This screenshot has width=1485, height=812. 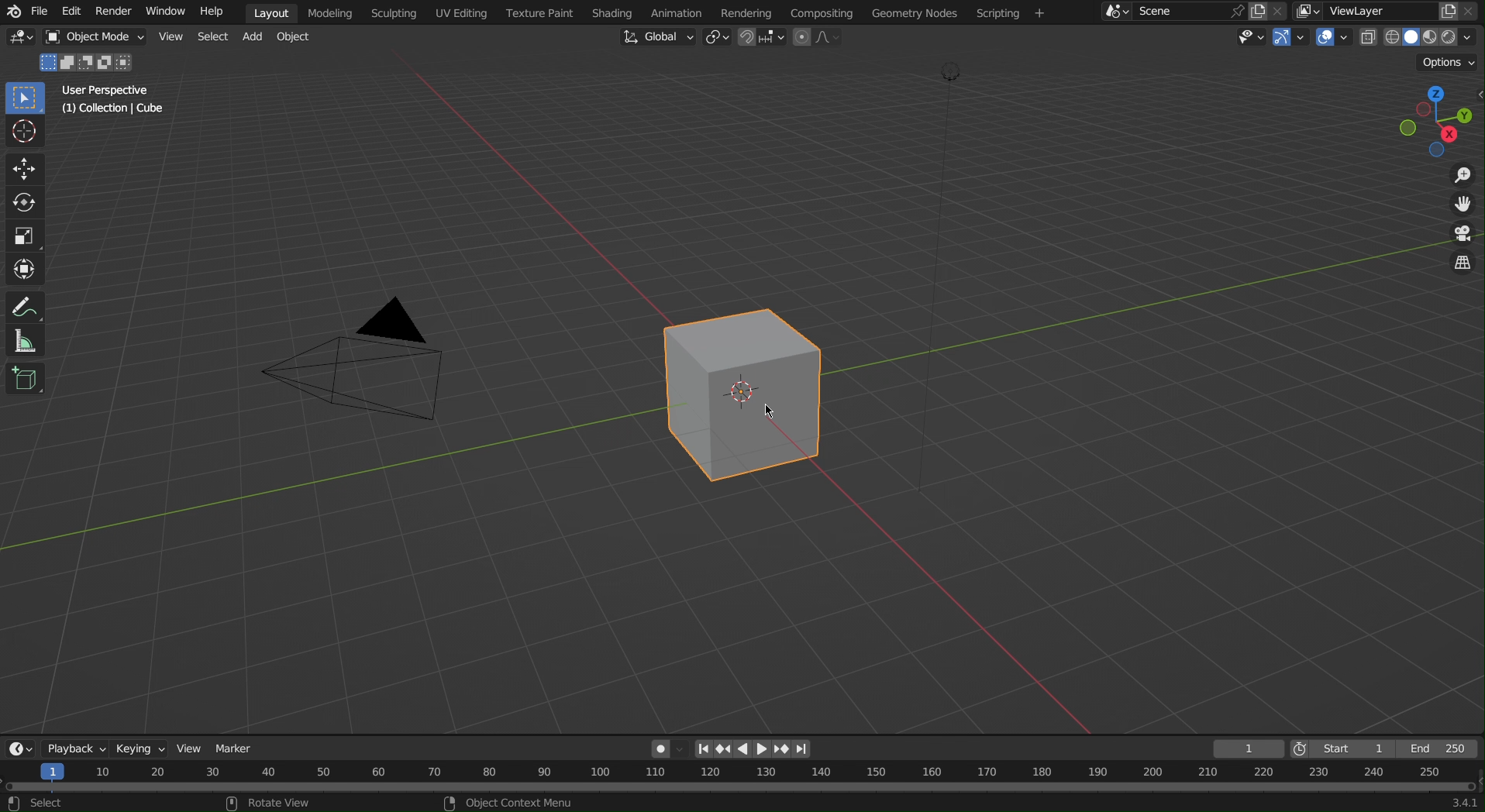 I want to click on Viewport Shading, so click(x=1428, y=36).